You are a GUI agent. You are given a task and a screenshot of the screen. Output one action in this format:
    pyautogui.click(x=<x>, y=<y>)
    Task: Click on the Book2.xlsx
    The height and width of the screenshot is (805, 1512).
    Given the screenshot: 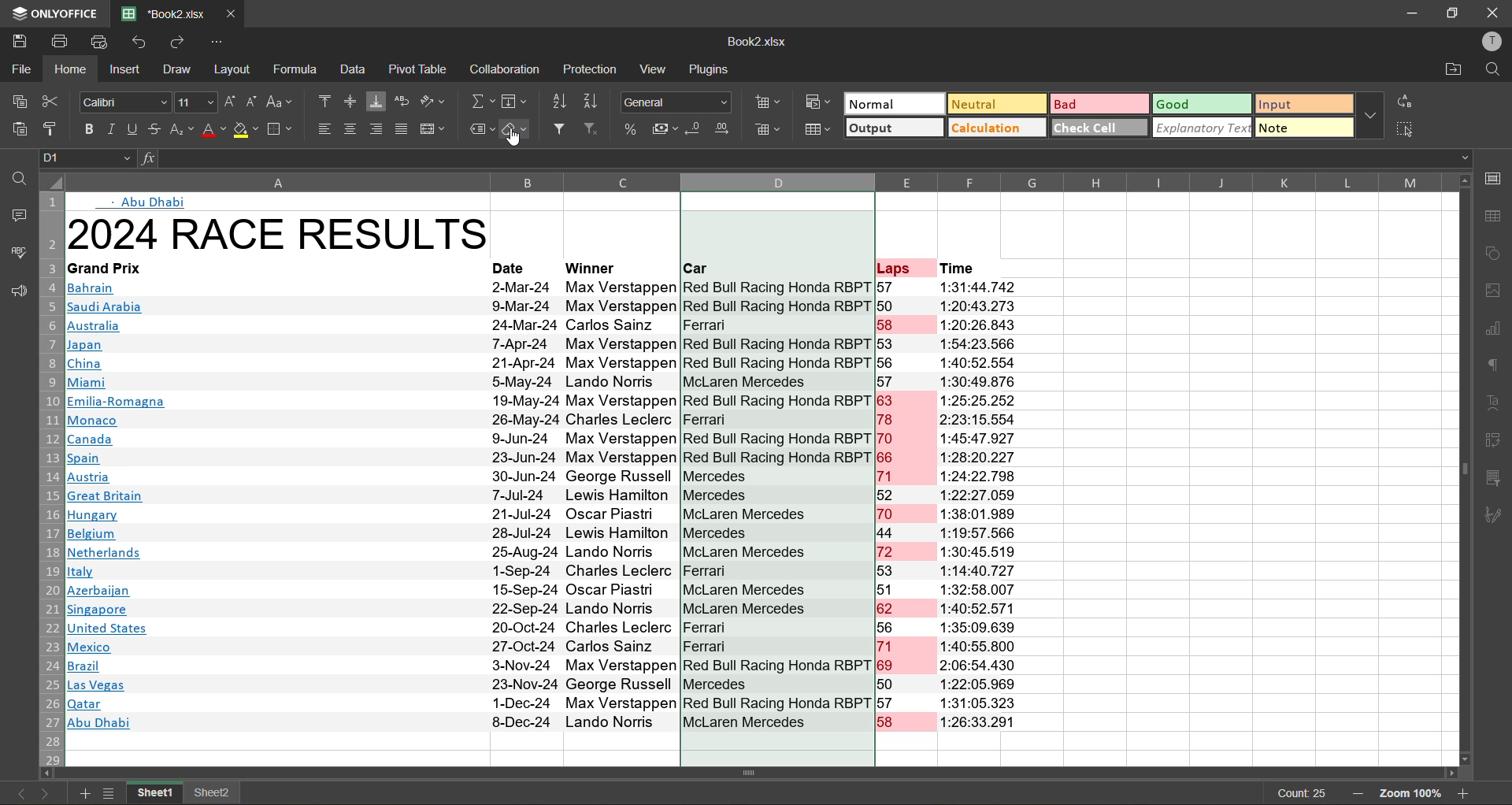 What is the action you would take?
    pyautogui.click(x=756, y=41)
    